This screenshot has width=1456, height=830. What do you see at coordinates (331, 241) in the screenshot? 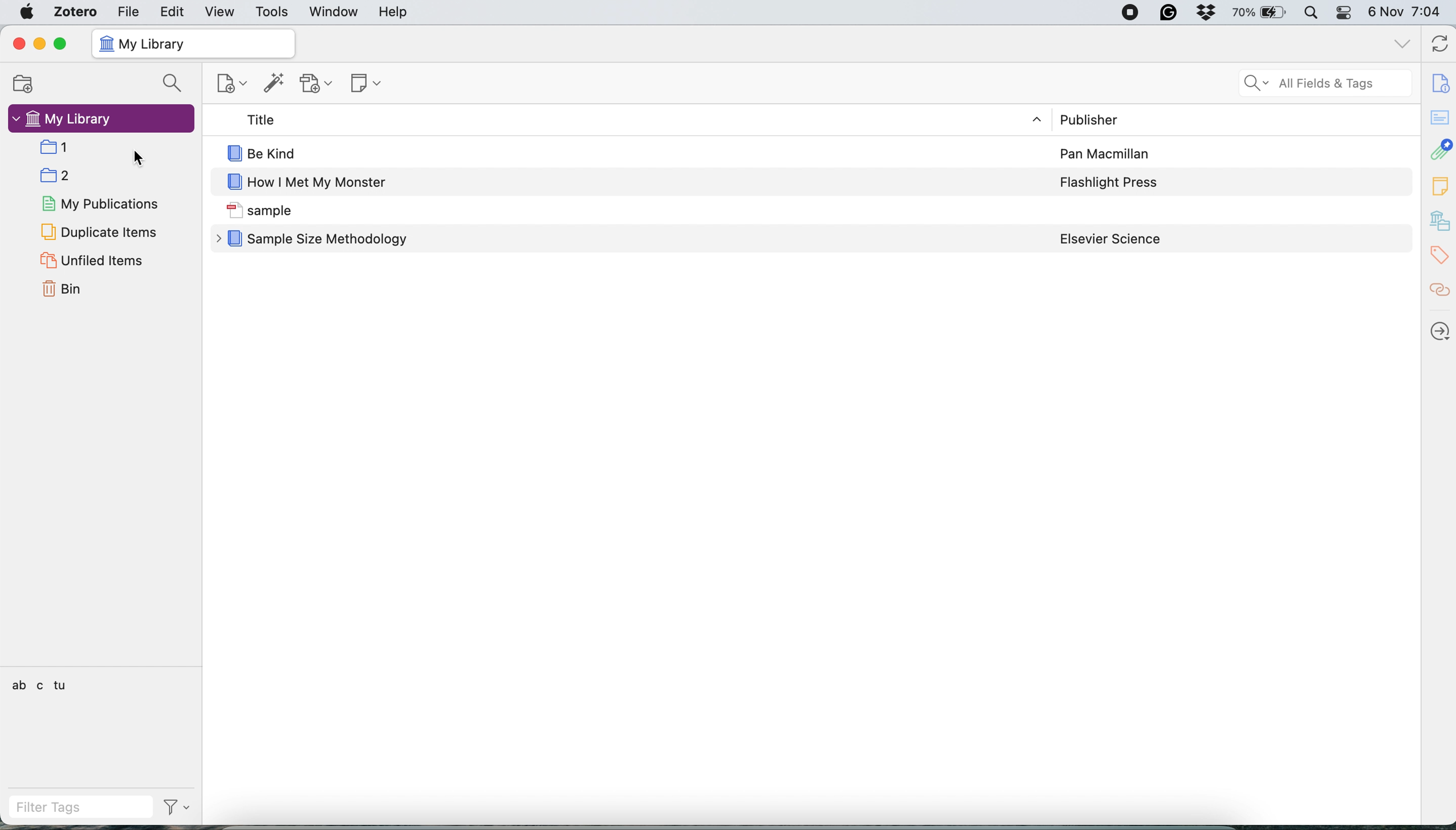
I see `Sample Size Methodology` at bounding box center [331, 241].